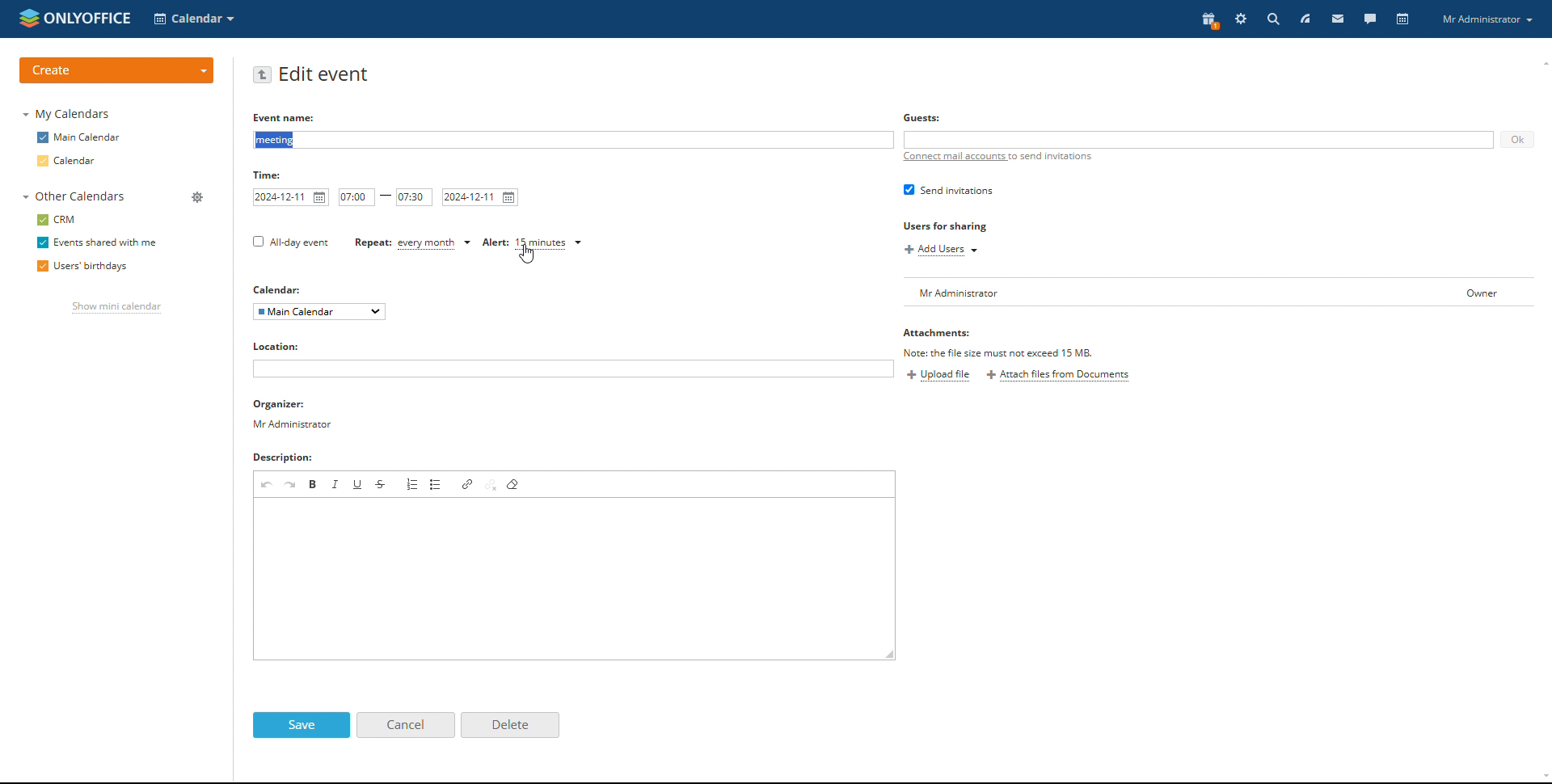 This screenshot has width=1552, height=784. Describe the element at coordinates (1240, 19) in the screenshot. I see `settings` at that location.